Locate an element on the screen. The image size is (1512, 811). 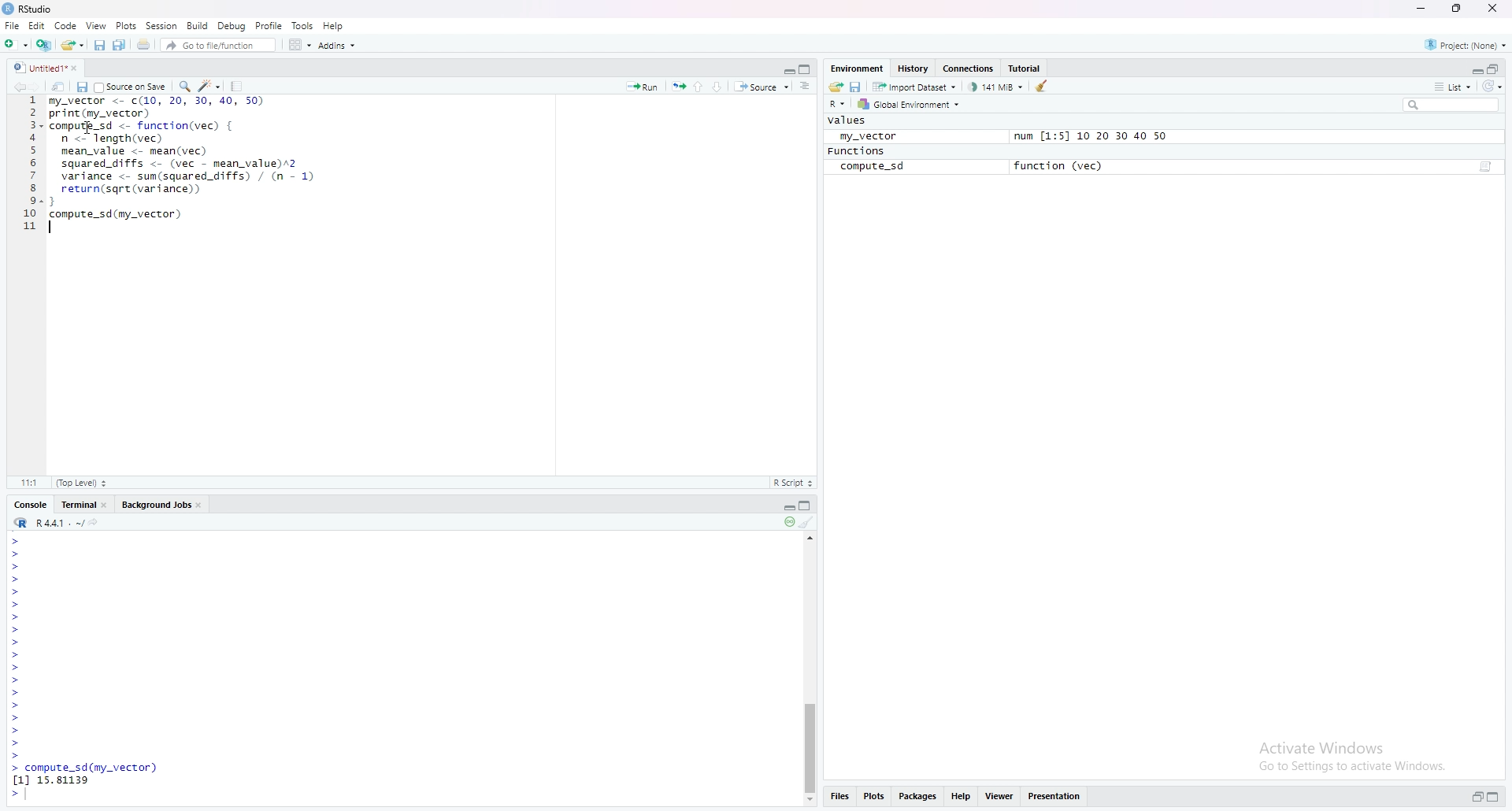
Workspace panes is located at coordinates (298, 44).